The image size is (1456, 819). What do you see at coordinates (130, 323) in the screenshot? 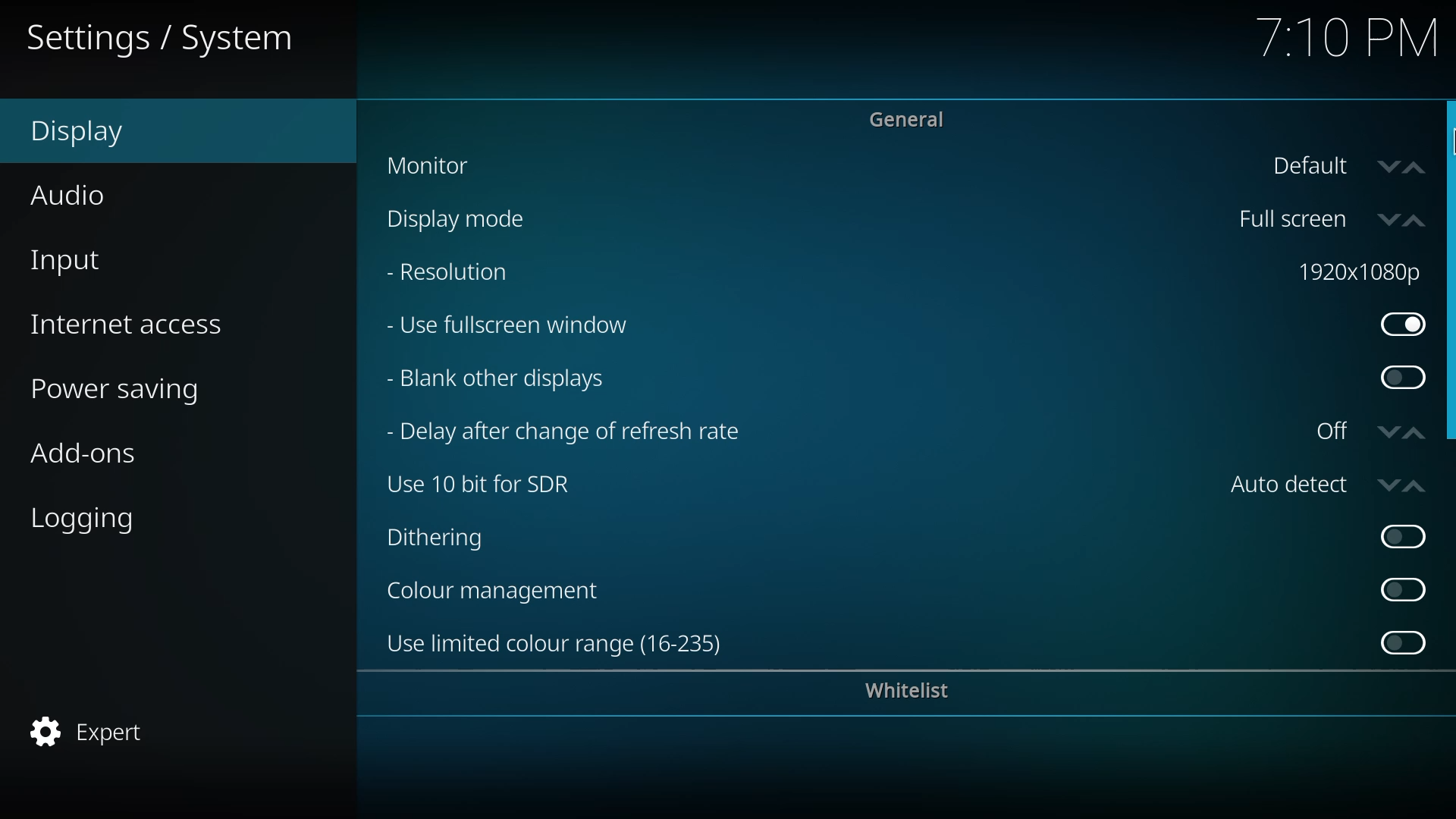
I see `internet access` at bounding box center [130, 323].